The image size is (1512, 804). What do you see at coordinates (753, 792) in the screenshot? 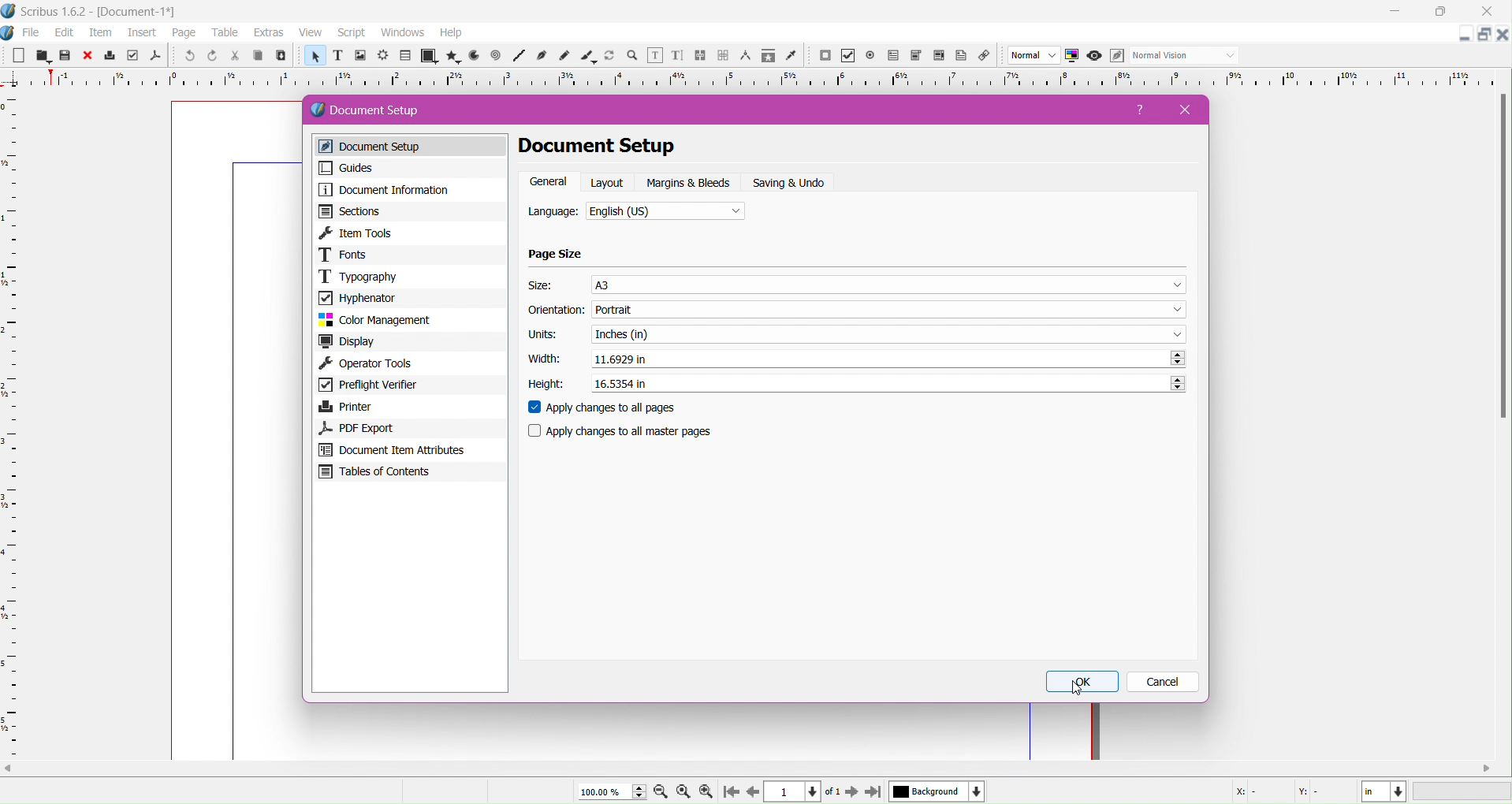
I see `go to previous page` at bounding box center [753, 792].